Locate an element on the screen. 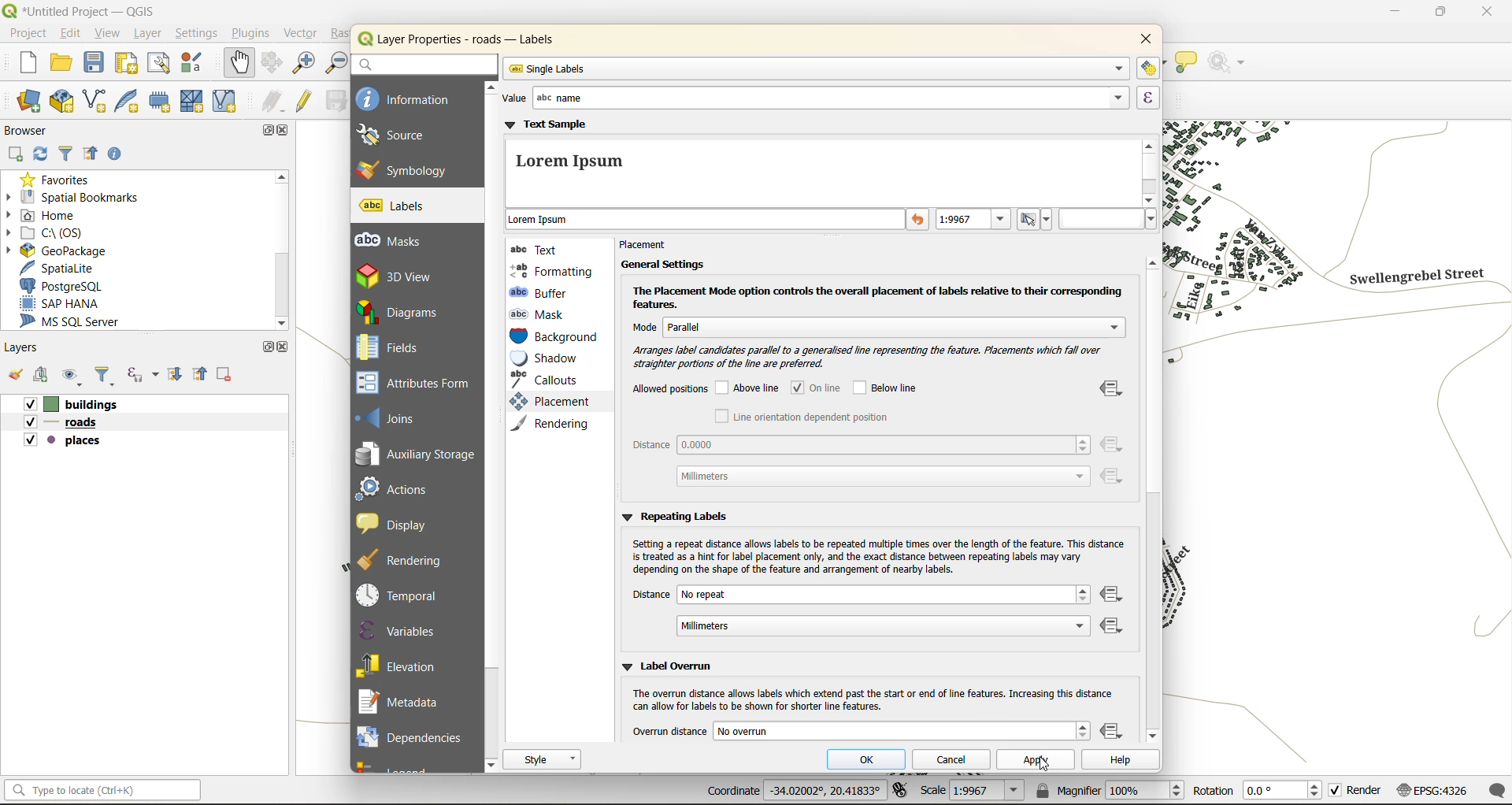 Image resolution: width=1512 pixels, height=805 pixels. data defined override is located at coordinates (1114, 434).